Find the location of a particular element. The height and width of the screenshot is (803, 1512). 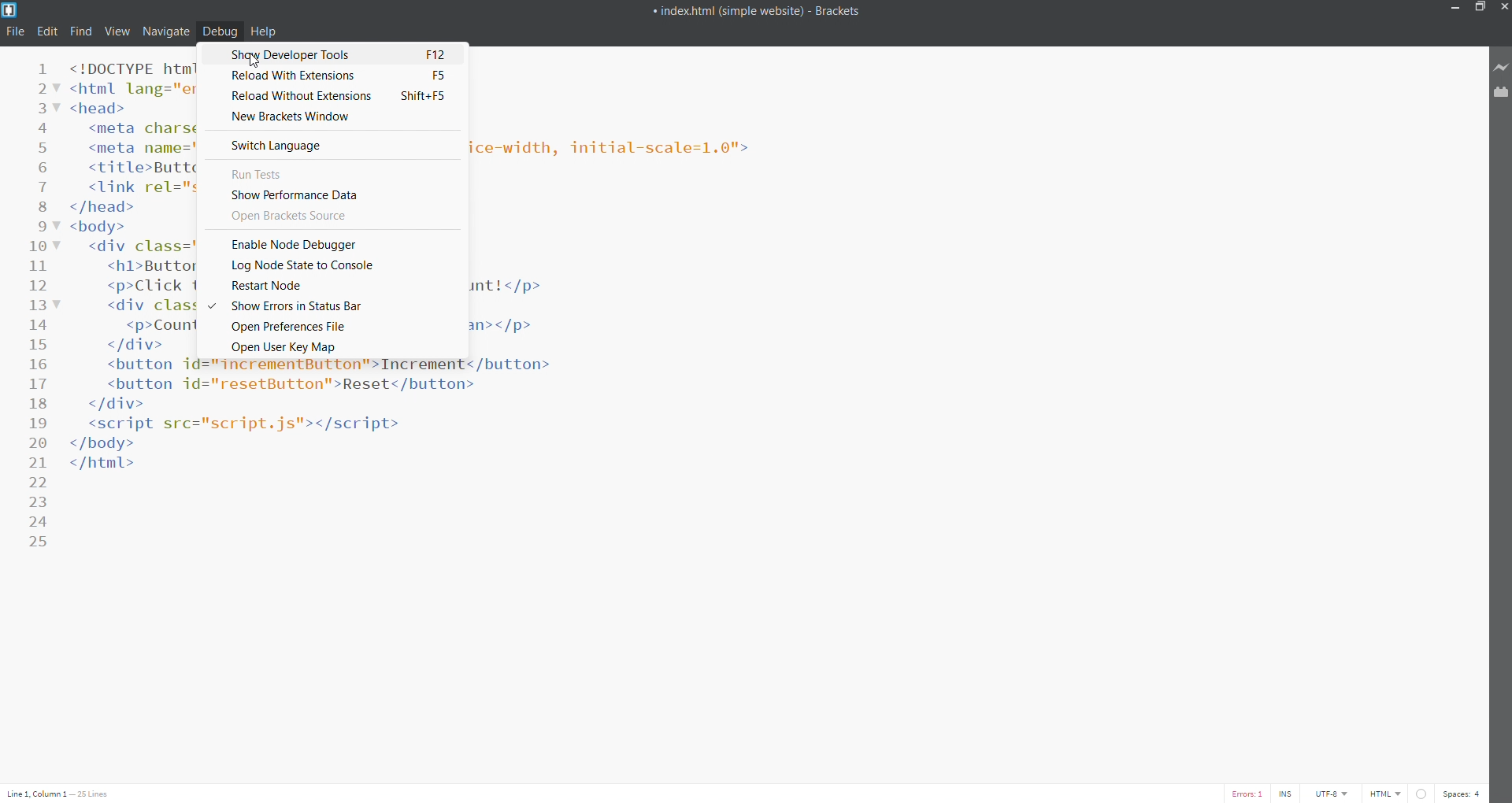

minimize is located at coordinates (1453, 9).